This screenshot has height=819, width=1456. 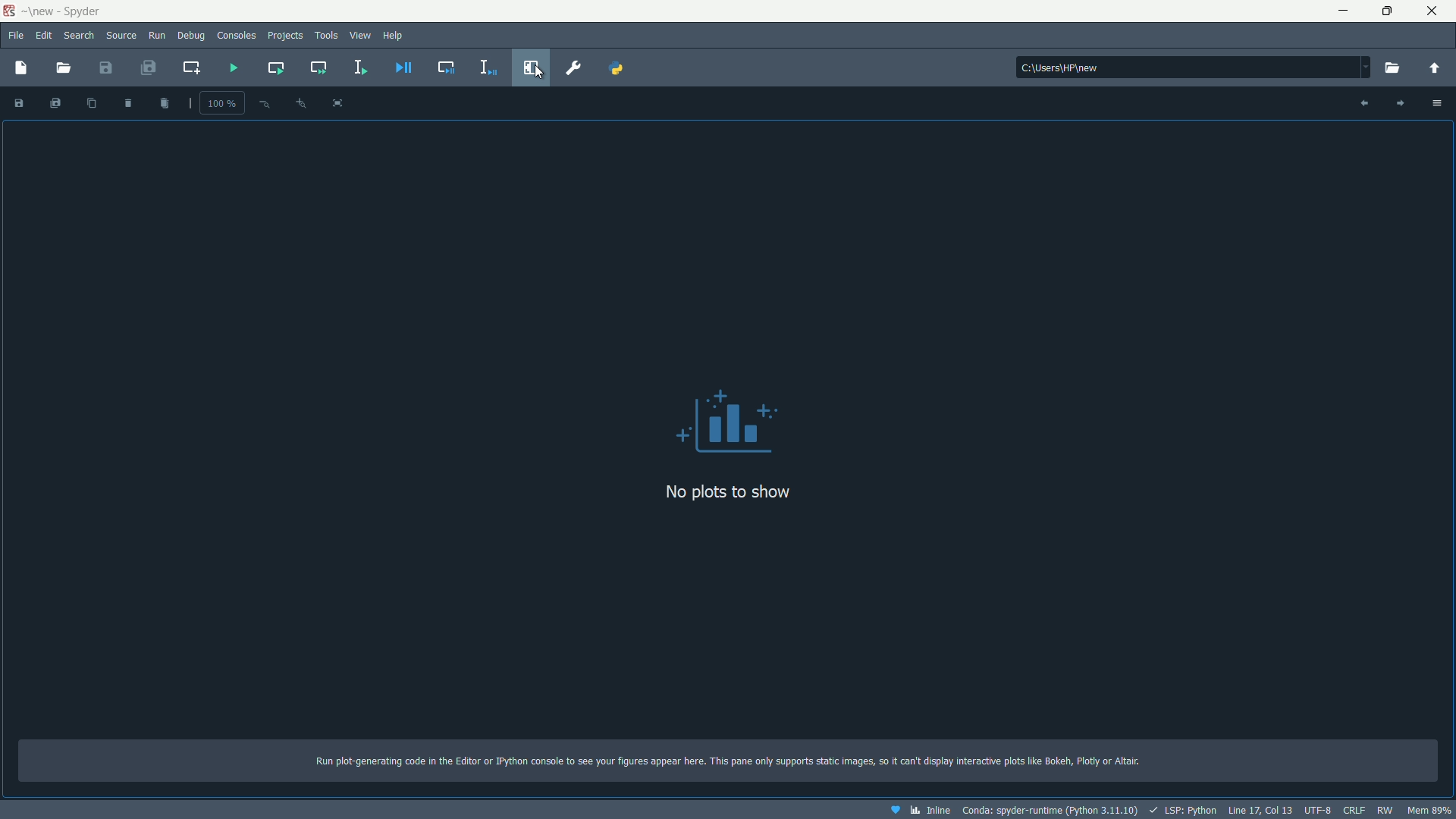 What do you see at coordinates (79, 35) in the screenshot?
I see `search` at bounding box center [79, 35].